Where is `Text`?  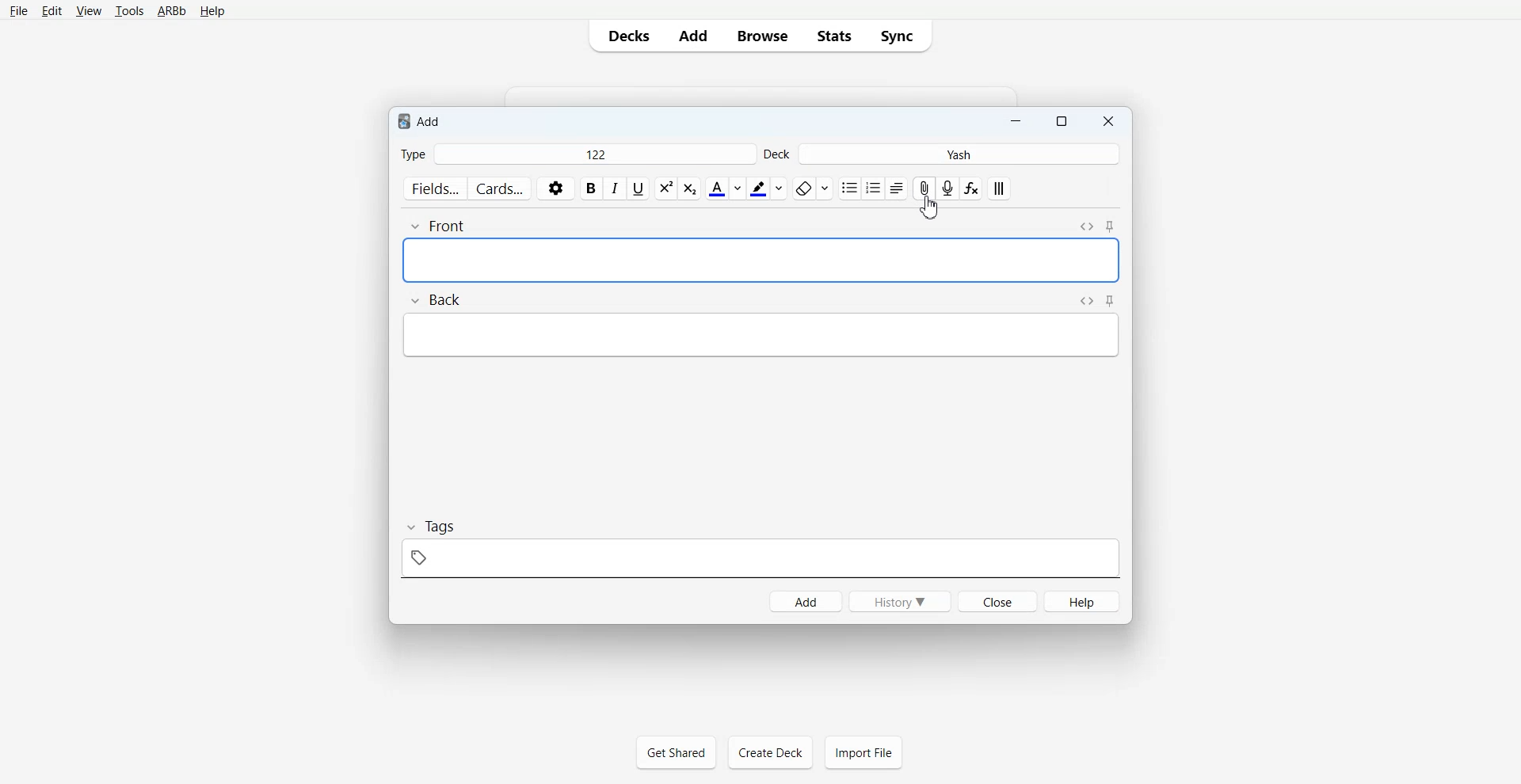
Text is located at coordinates (421, 120).